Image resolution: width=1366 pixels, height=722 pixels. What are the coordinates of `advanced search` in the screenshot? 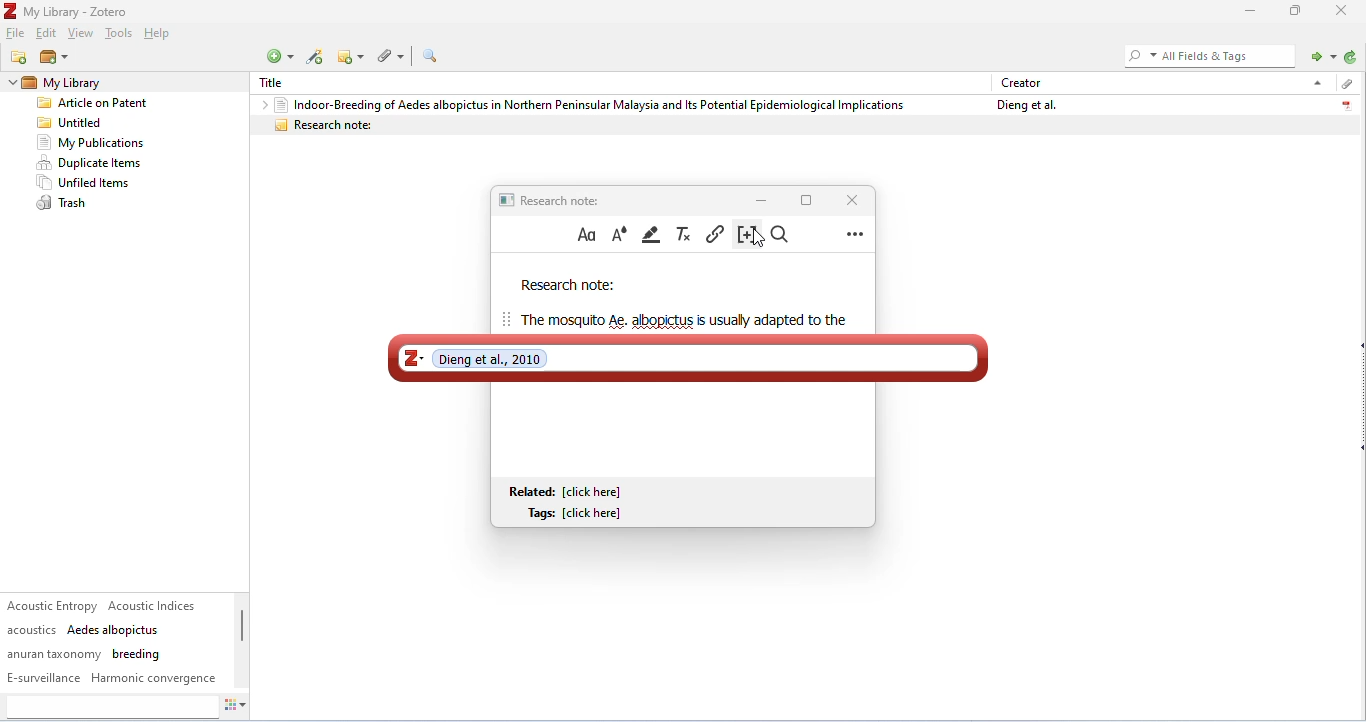 It's located at (430, 56).